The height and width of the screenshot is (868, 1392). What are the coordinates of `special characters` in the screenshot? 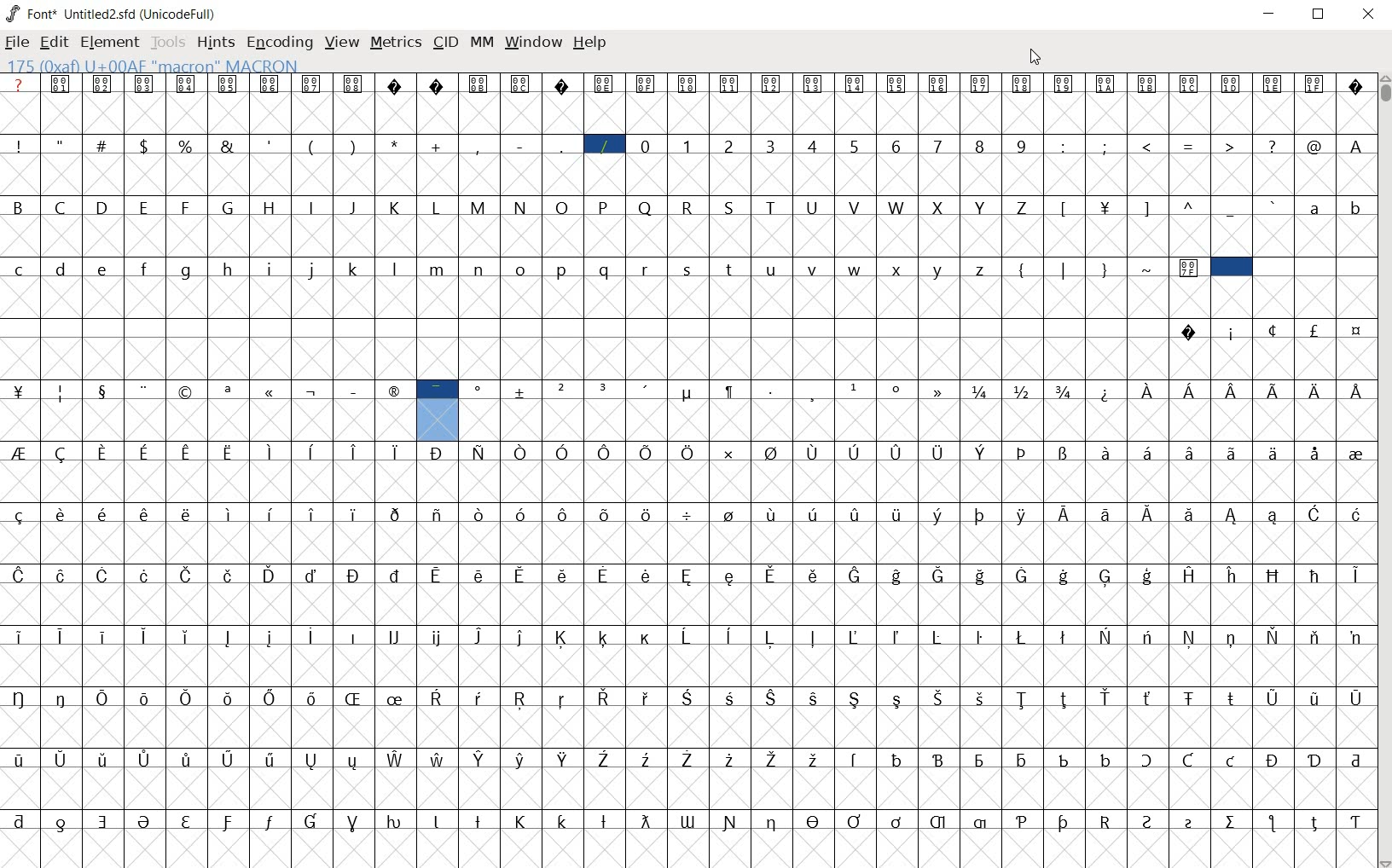 It's located at (20, 563).